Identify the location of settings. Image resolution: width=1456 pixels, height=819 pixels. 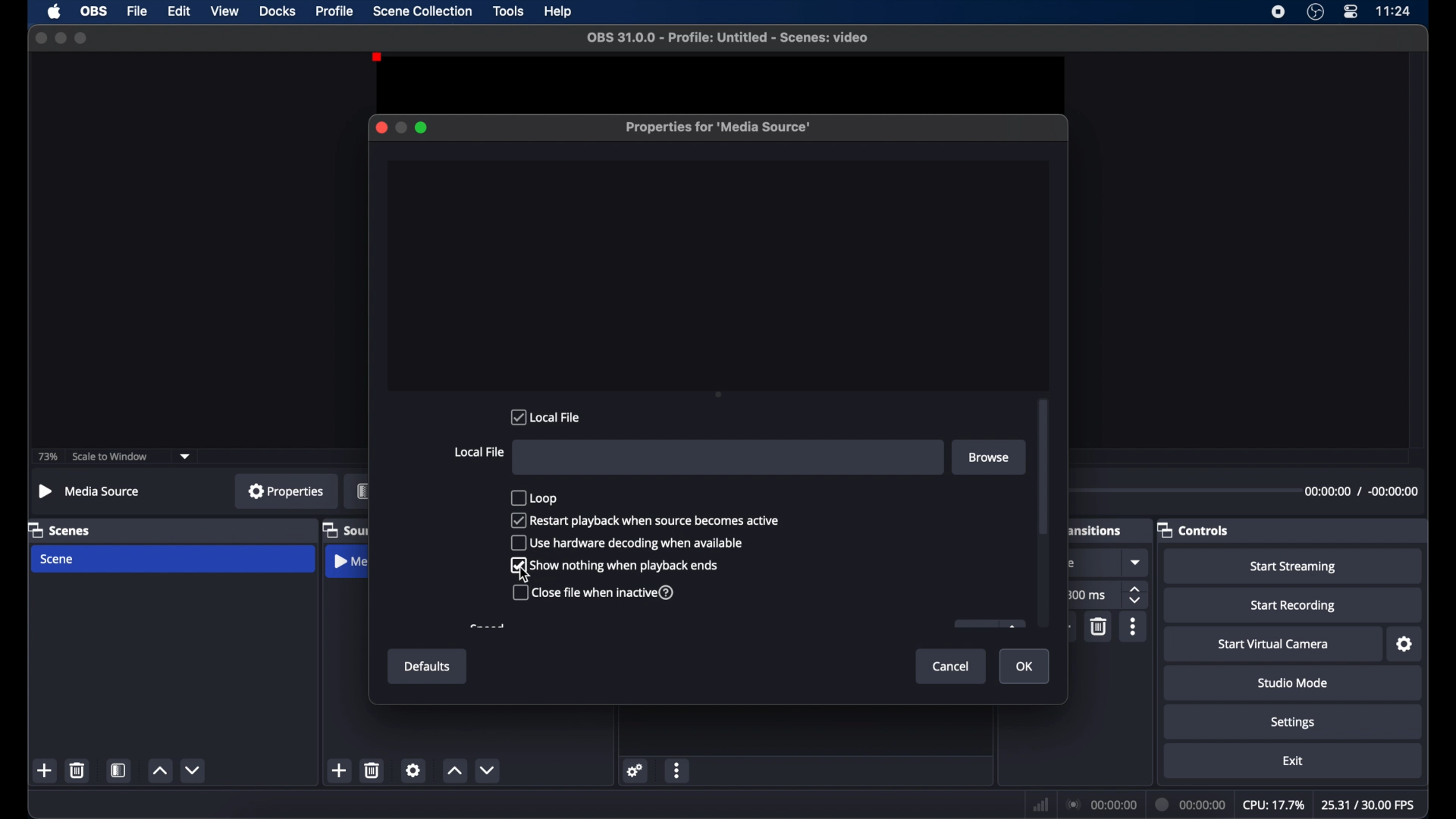
(635, 770).